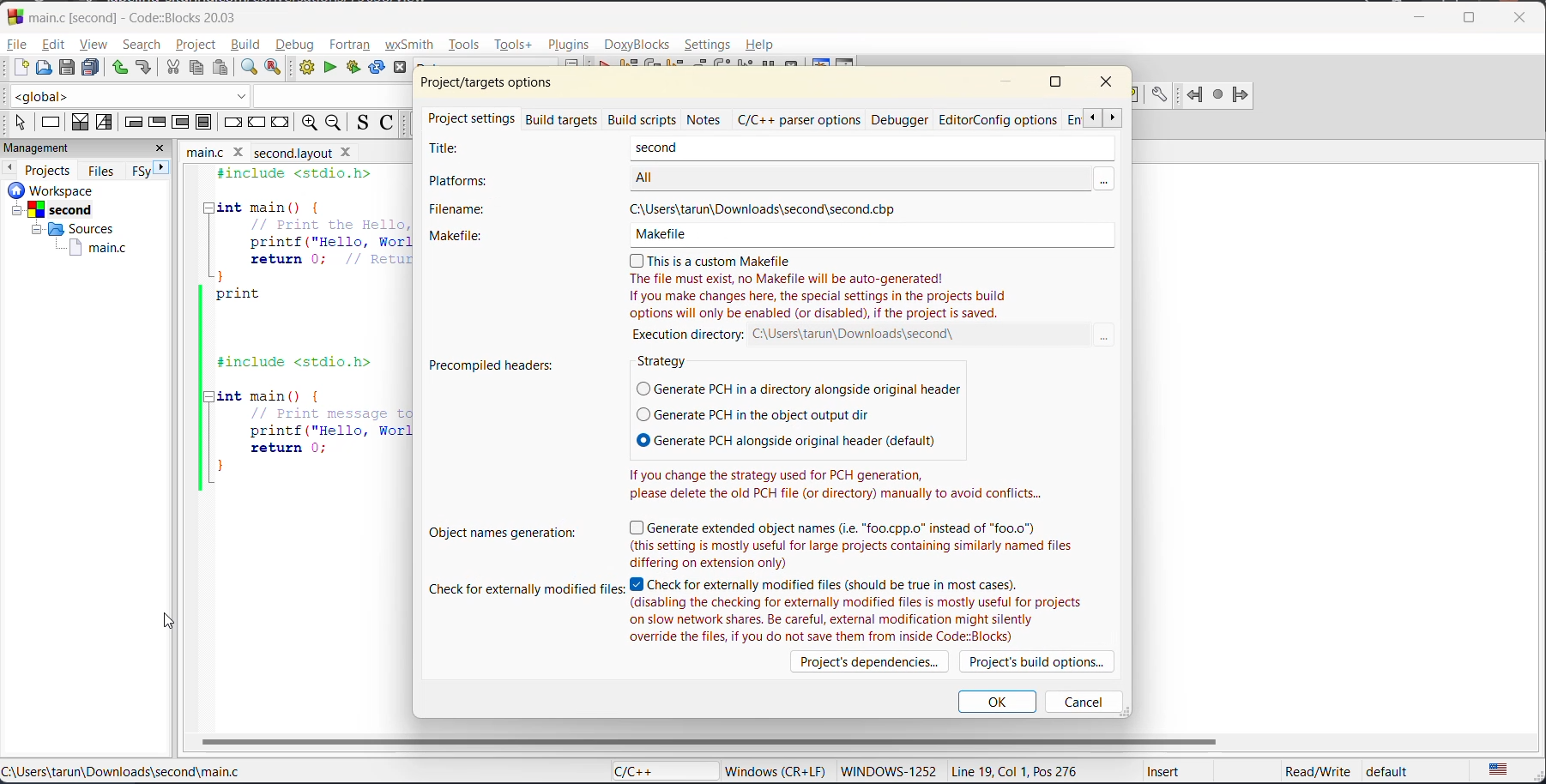 The height and width of the screenshot is (784, 1546). Describe the element at coordinates (185, 121) in the screenshot. I see `counting loop` at that location.